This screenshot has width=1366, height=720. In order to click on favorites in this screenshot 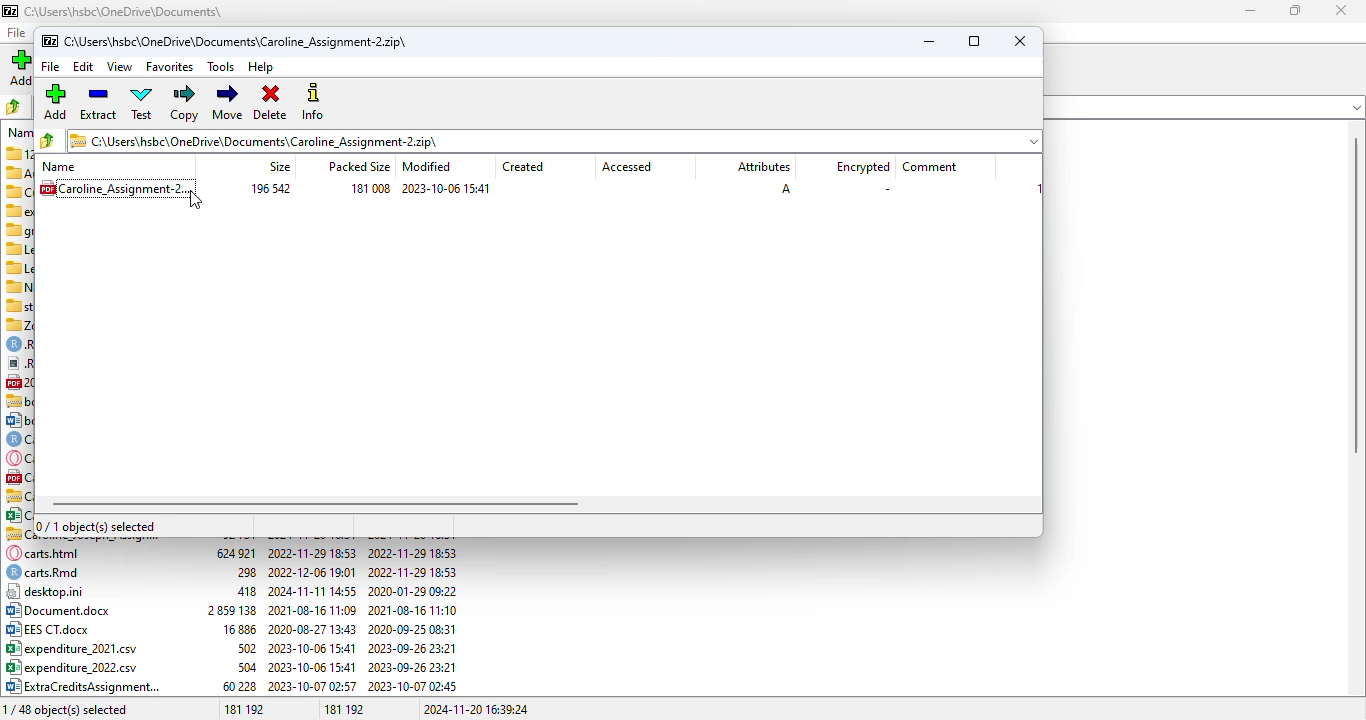, I will do `click(171, 67)`.